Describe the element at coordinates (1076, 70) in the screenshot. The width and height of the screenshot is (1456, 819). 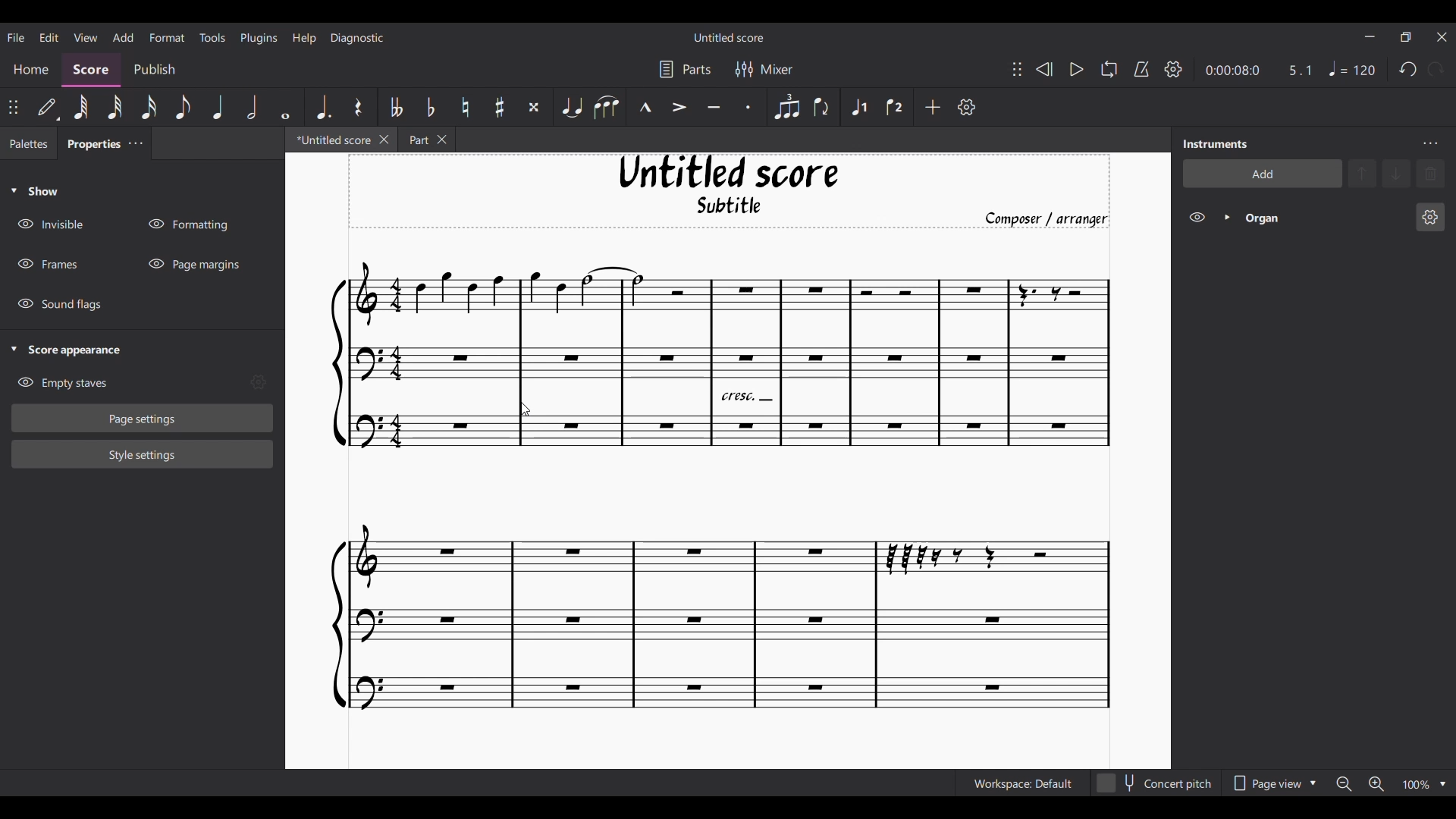
I see `Play` at that location.